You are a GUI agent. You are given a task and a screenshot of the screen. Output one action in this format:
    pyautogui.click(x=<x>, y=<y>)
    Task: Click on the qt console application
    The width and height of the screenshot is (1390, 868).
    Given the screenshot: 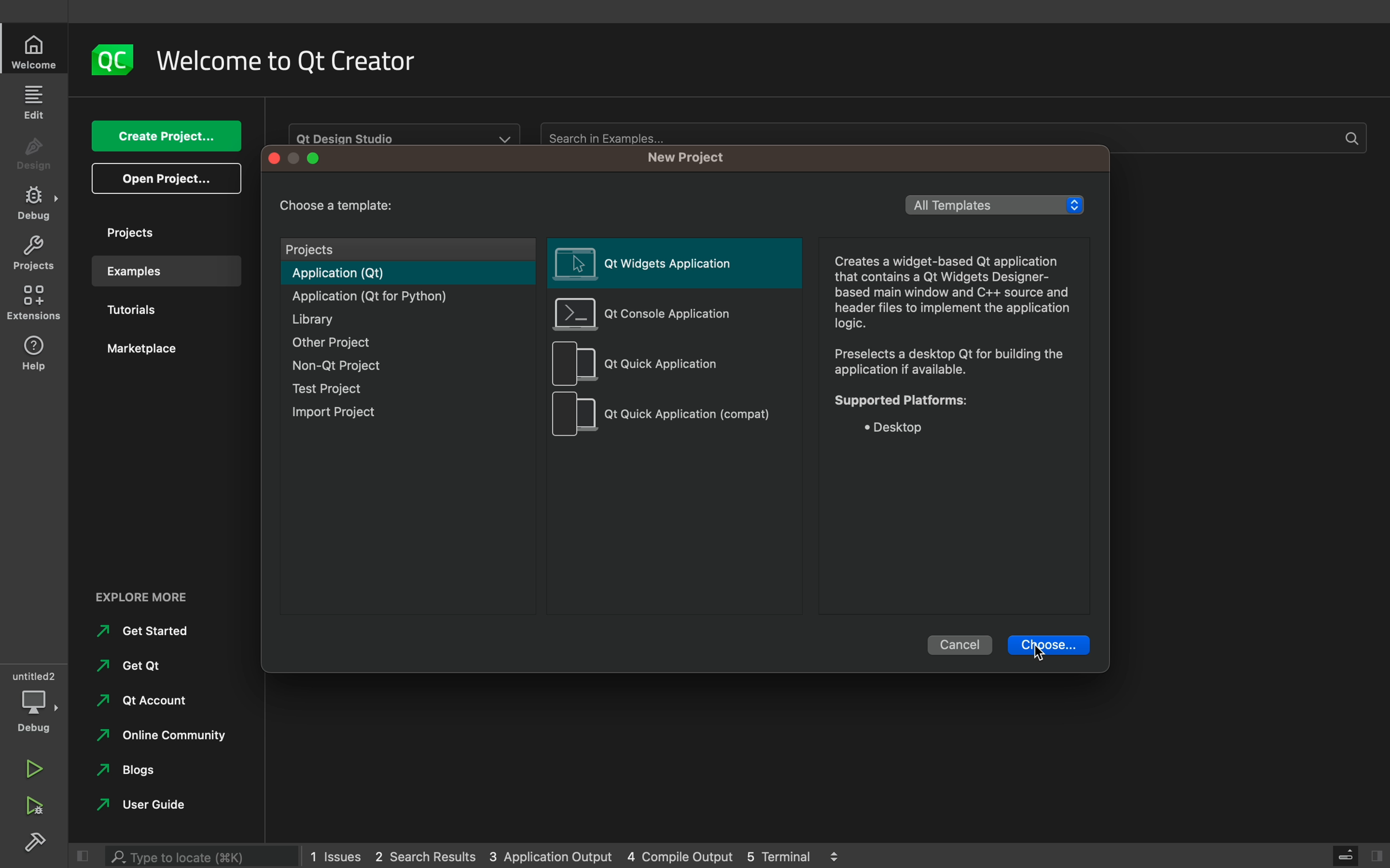 What is the action you would take?
    pyautogui.click(x=660, y=315)
    